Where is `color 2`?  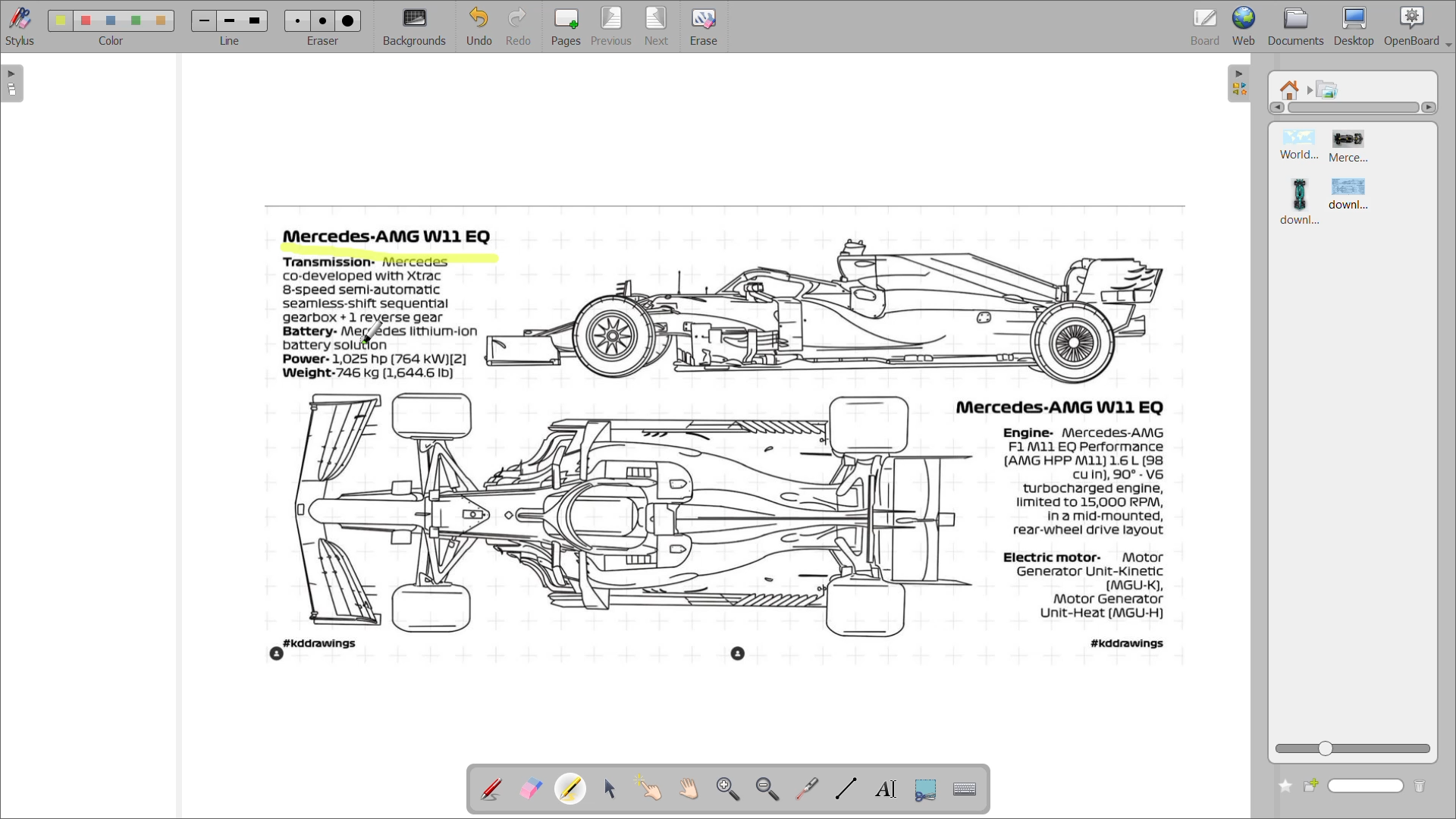
color 2 is located at coordinates (85, 20).